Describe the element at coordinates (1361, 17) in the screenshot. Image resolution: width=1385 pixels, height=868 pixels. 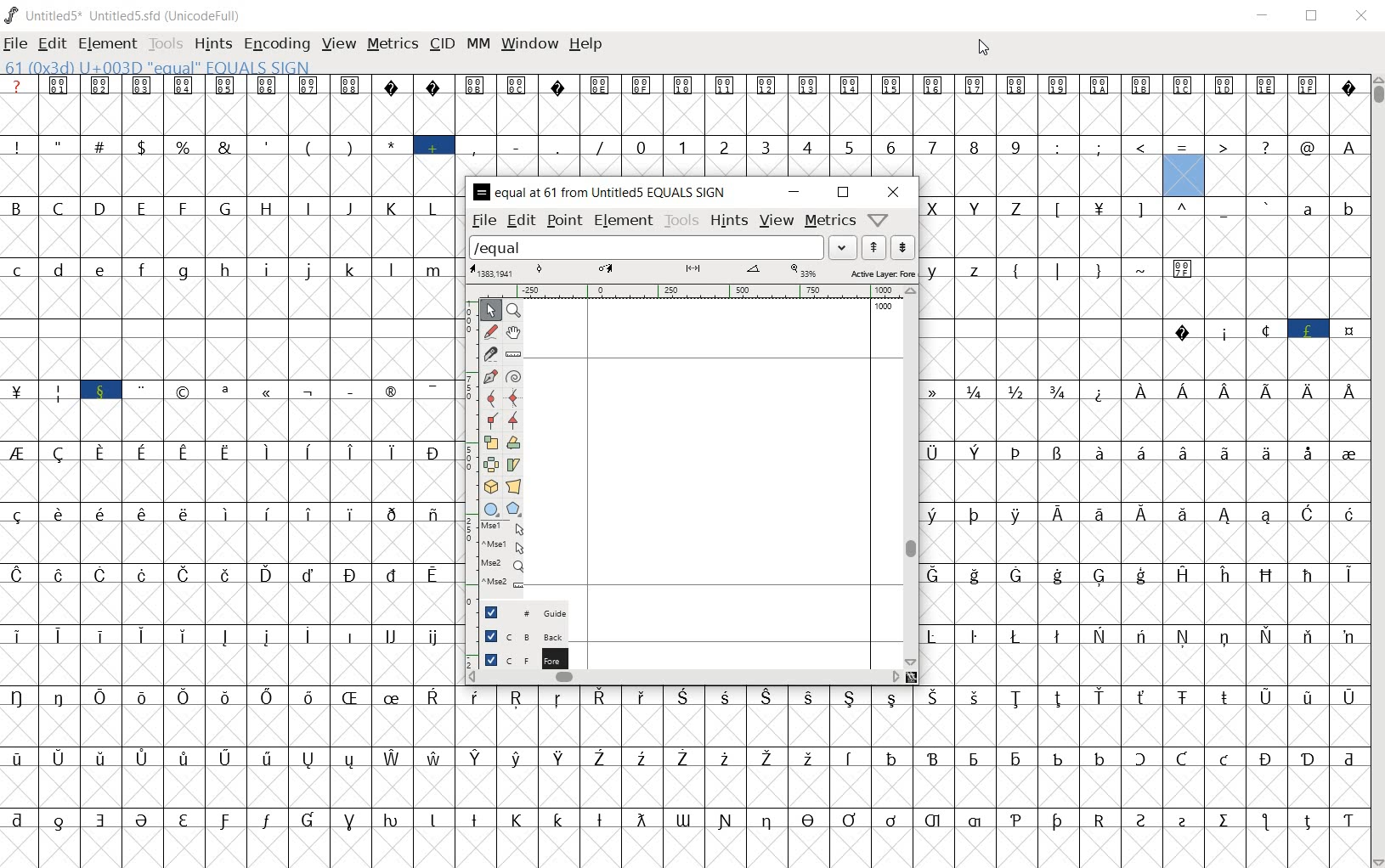
I see `close` at that location.